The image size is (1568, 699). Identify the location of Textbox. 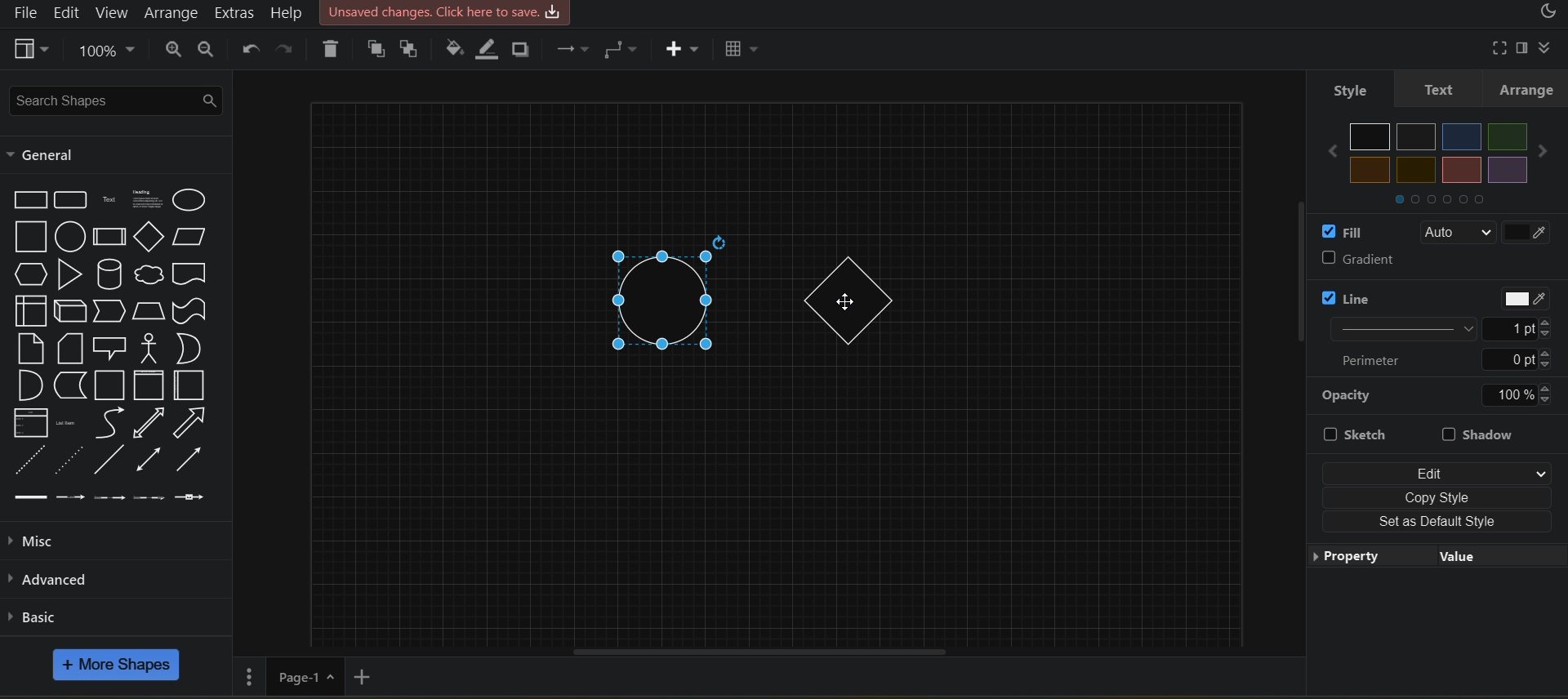
(146, 199).